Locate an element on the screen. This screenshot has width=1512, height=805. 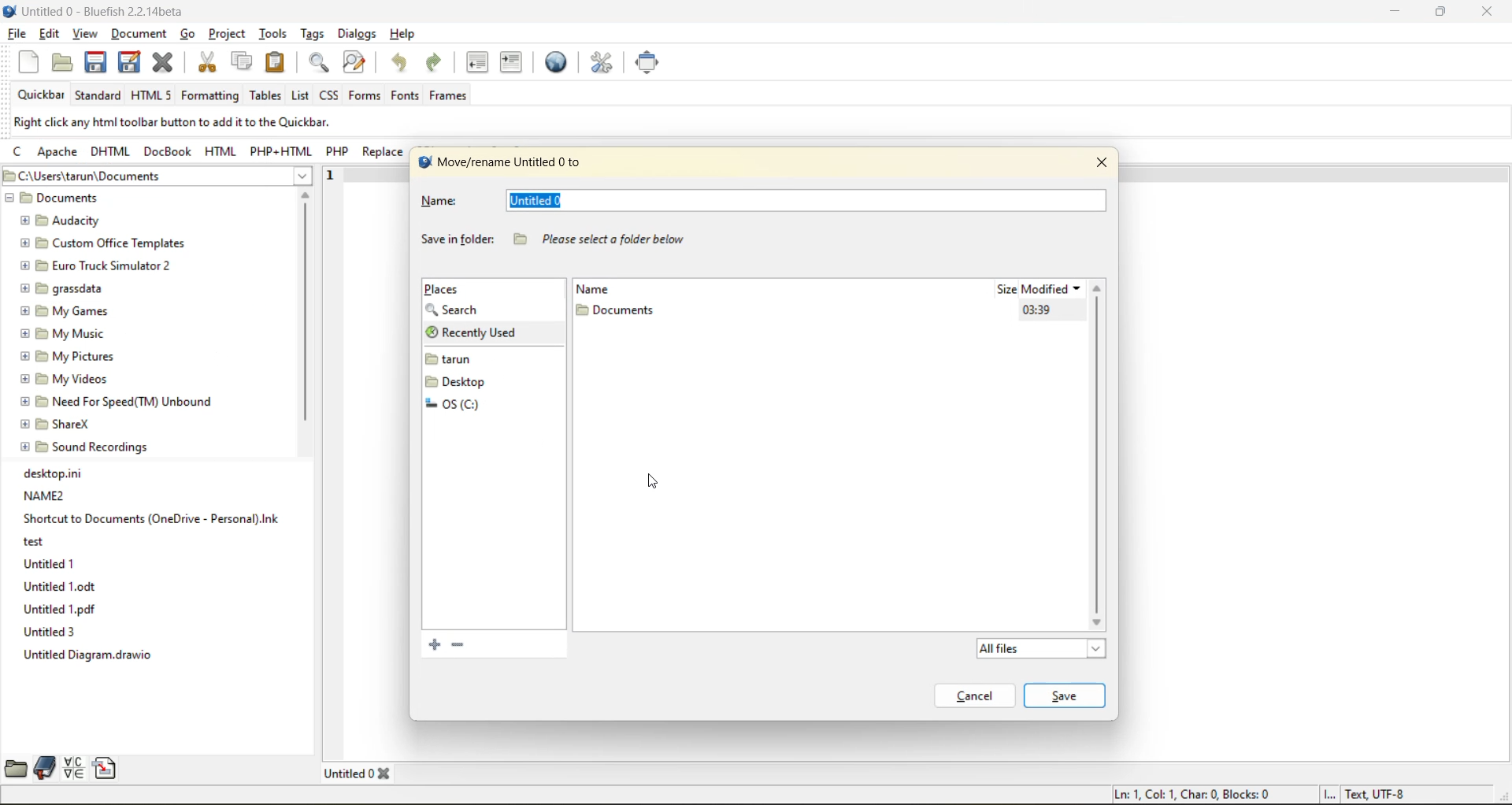
add current folder to bookmarks is located at coordinates (435, 645).